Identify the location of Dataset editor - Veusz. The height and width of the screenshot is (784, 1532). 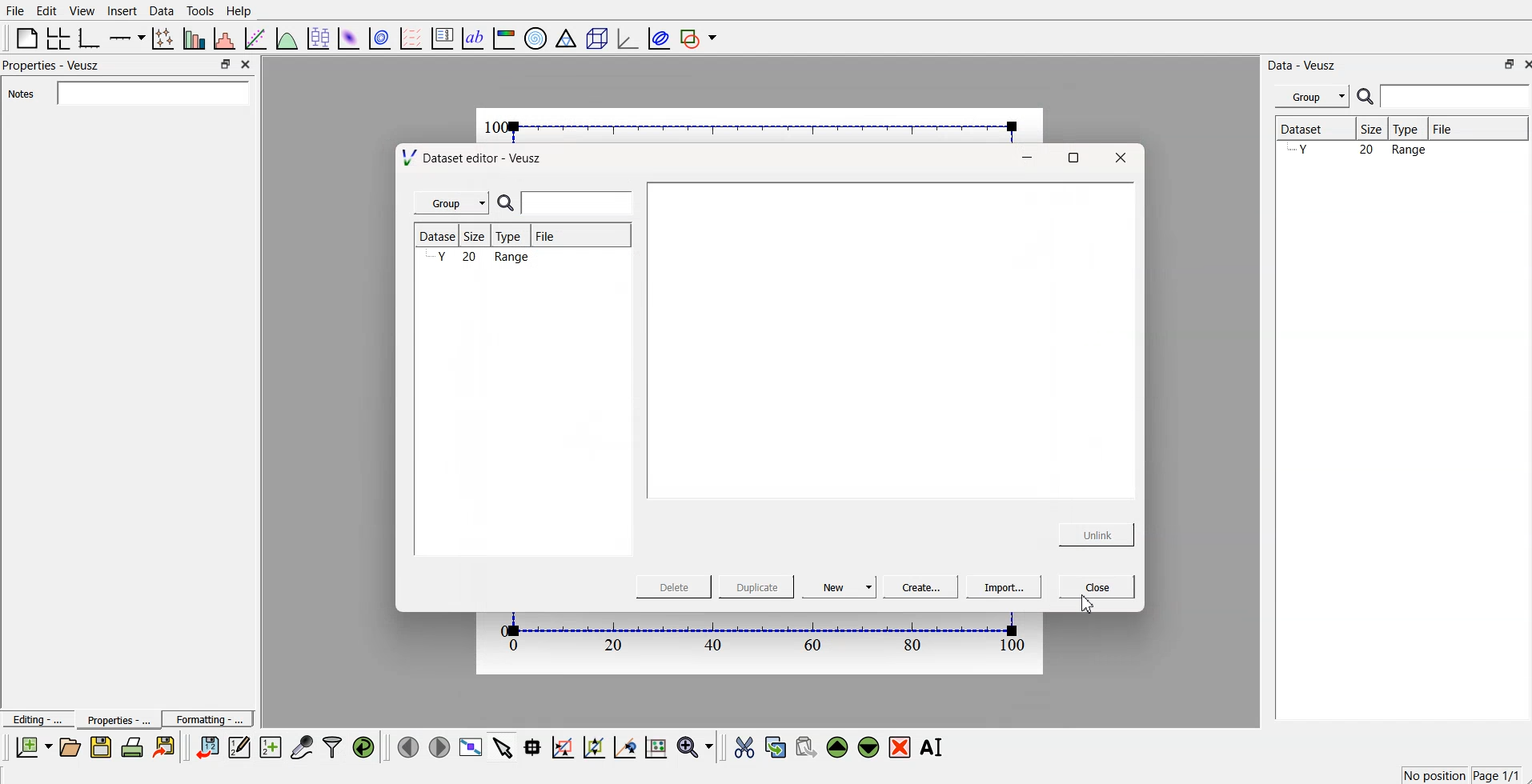
(476, 159).